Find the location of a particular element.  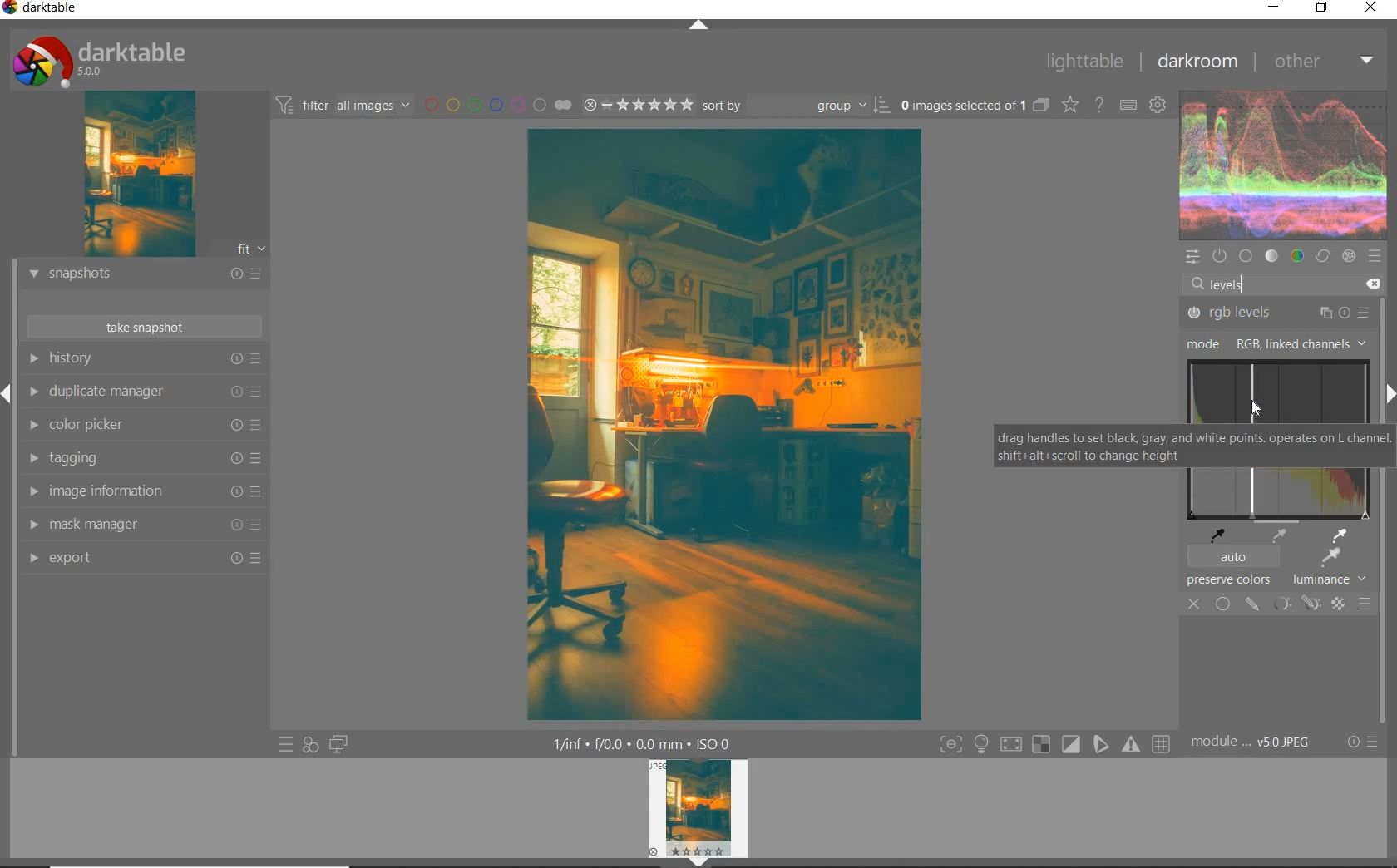

tone is located at coordinates (1272, 255).